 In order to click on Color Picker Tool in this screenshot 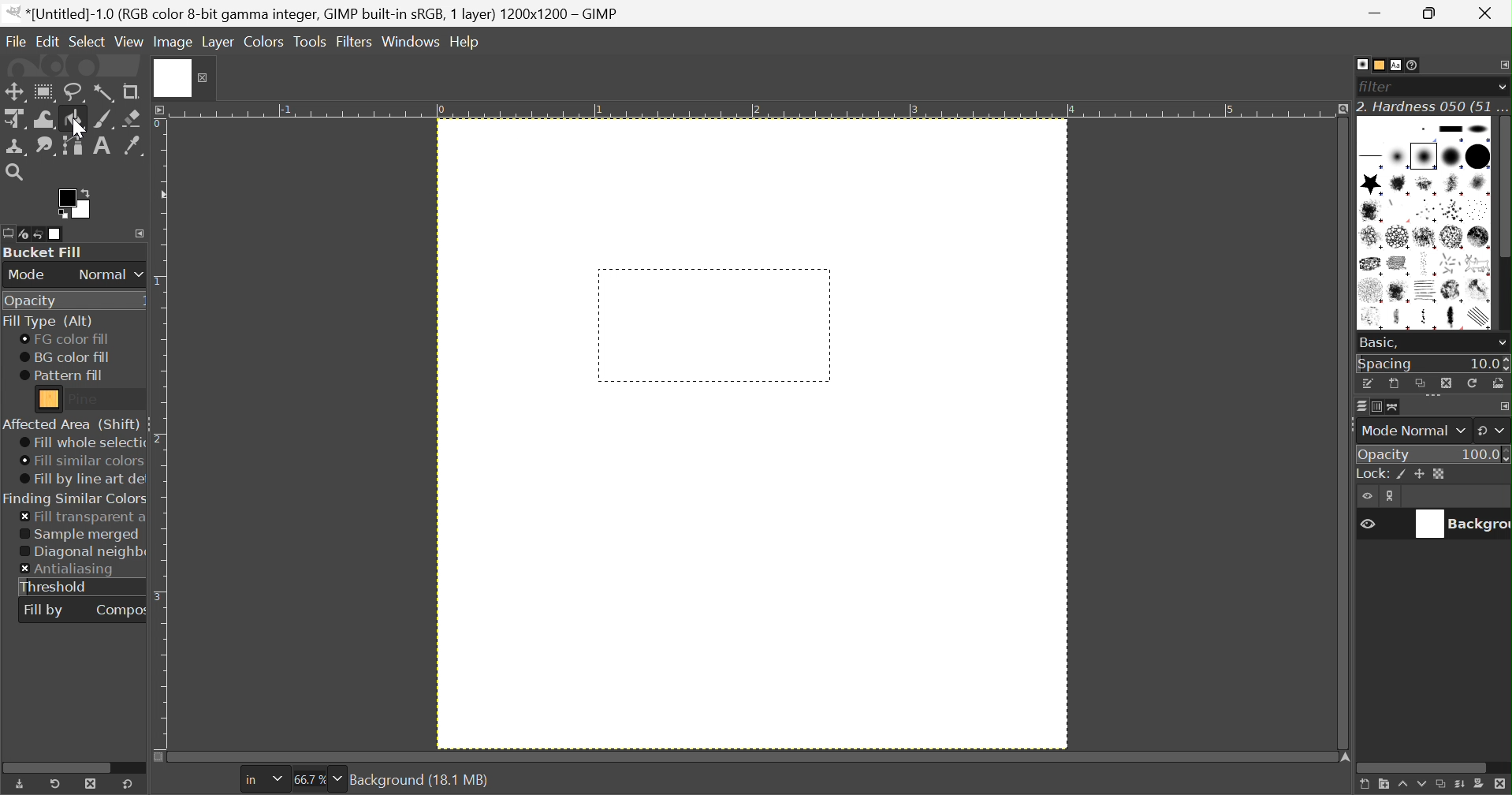, I will do `click(132, 145)`.